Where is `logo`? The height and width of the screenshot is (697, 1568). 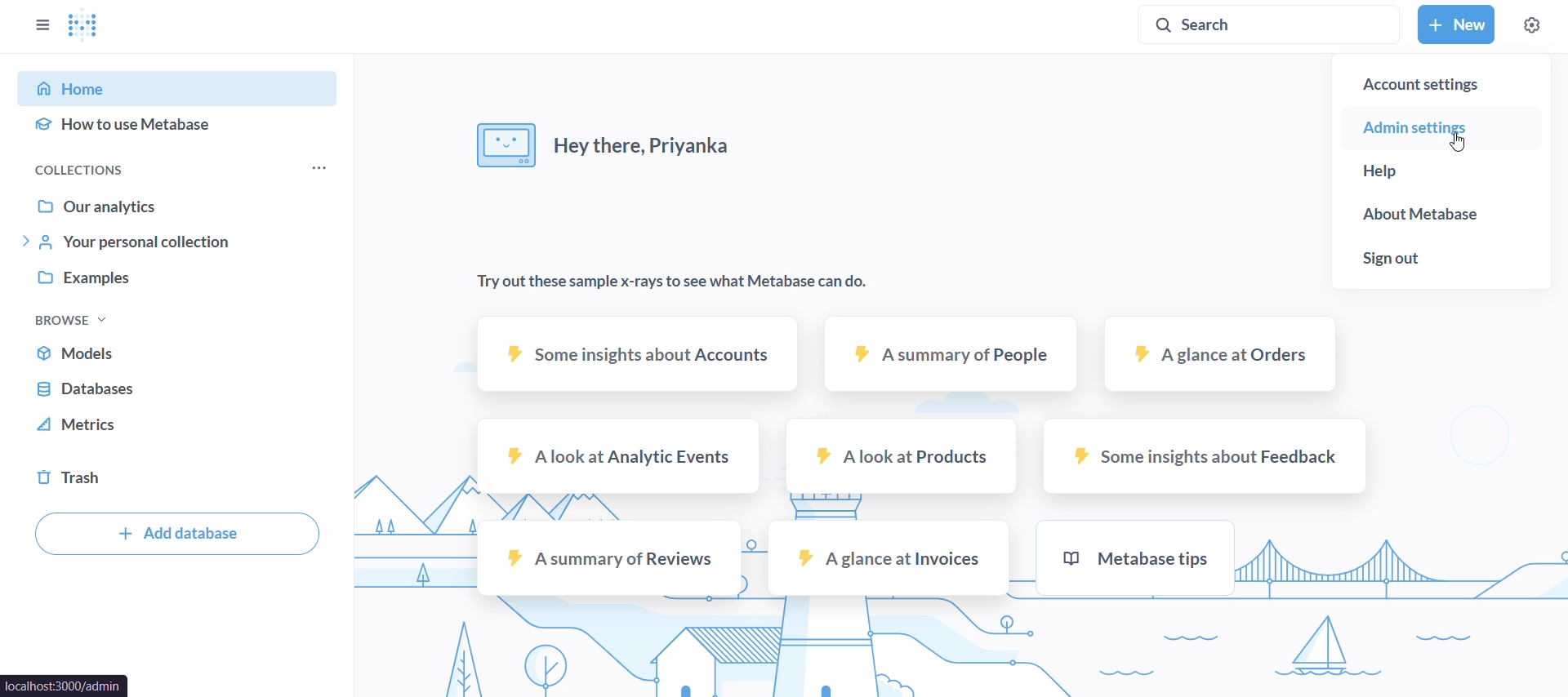 logo is located at coordinates (89, 27).